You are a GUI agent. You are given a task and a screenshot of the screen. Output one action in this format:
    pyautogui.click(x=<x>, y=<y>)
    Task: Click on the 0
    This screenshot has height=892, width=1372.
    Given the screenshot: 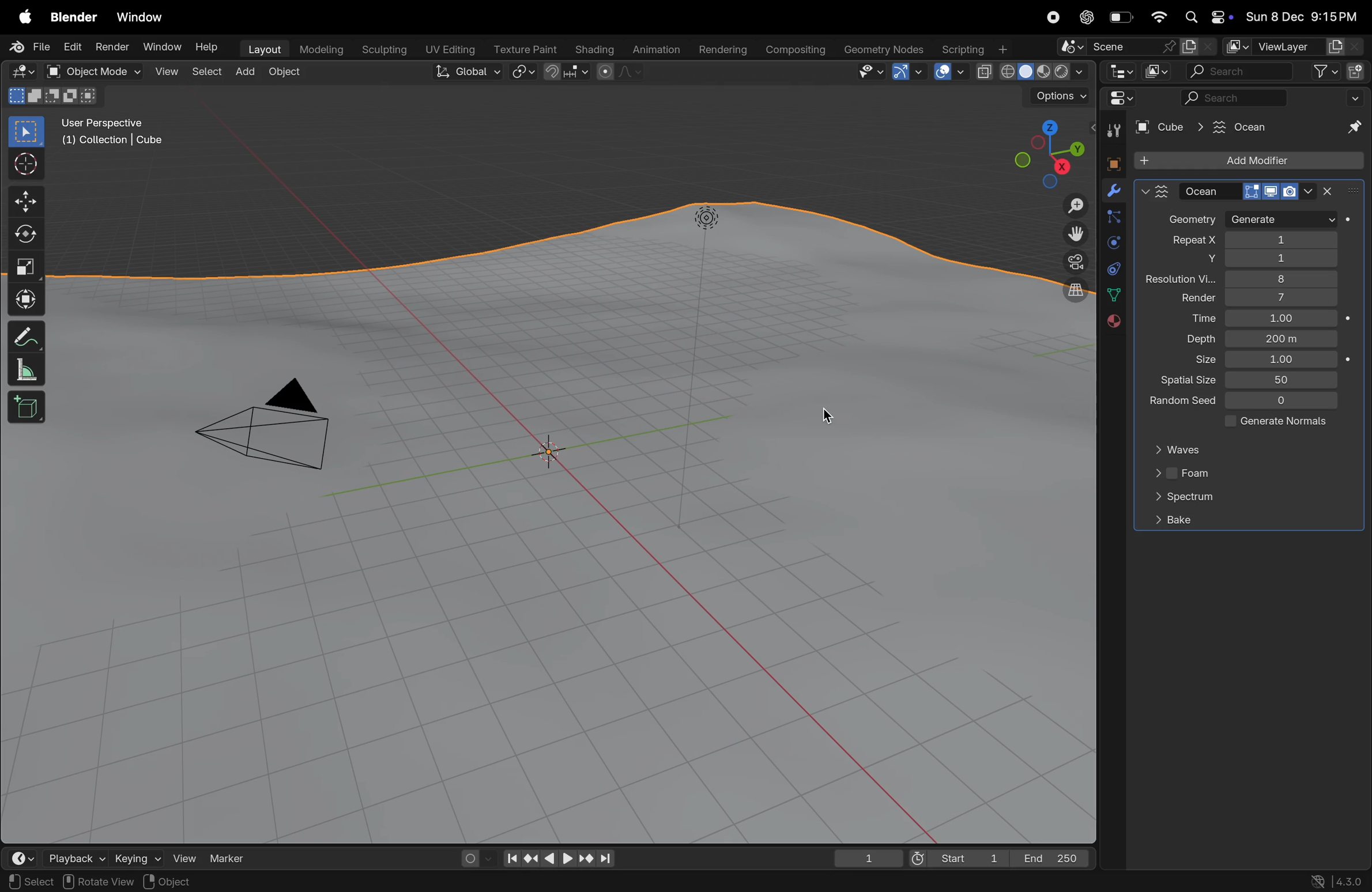 What is the action you would take?
    pyautogui.click(x=1283, y=402)
    